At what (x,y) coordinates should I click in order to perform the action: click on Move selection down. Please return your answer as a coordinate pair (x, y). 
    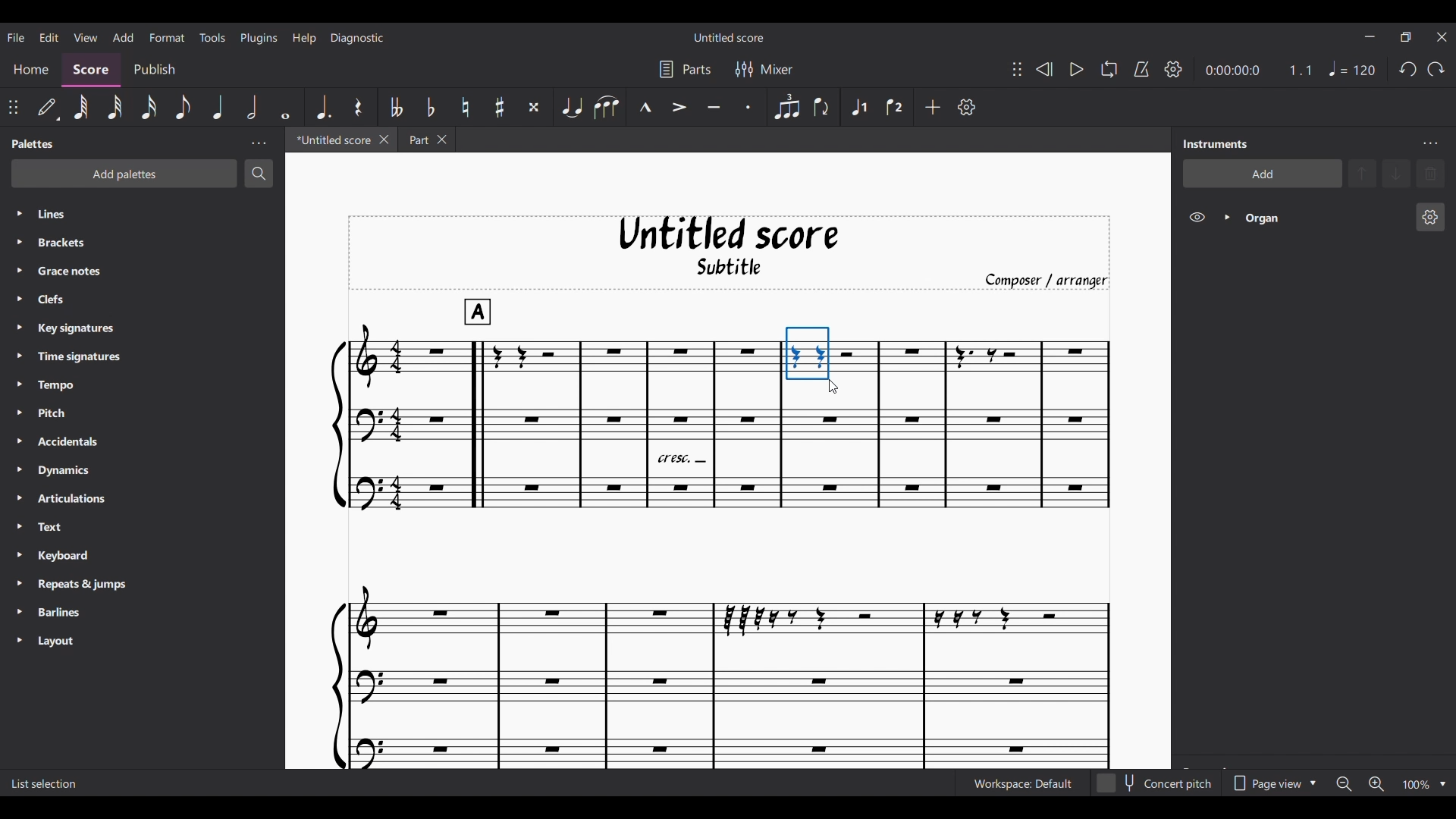
    Looking at the image, I should click on (1396, 174).